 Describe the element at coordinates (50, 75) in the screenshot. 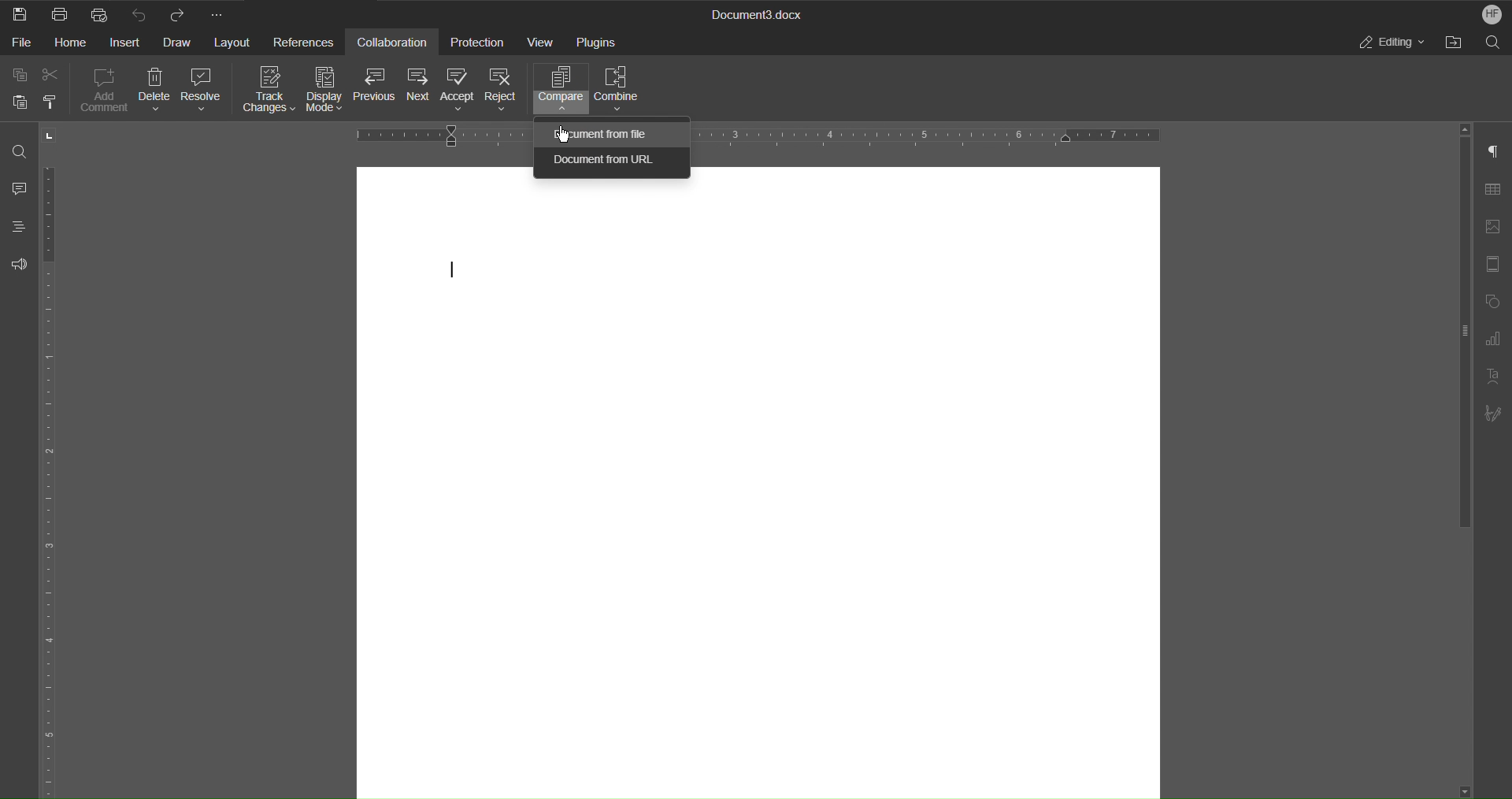

I see `Cut ` at that location.